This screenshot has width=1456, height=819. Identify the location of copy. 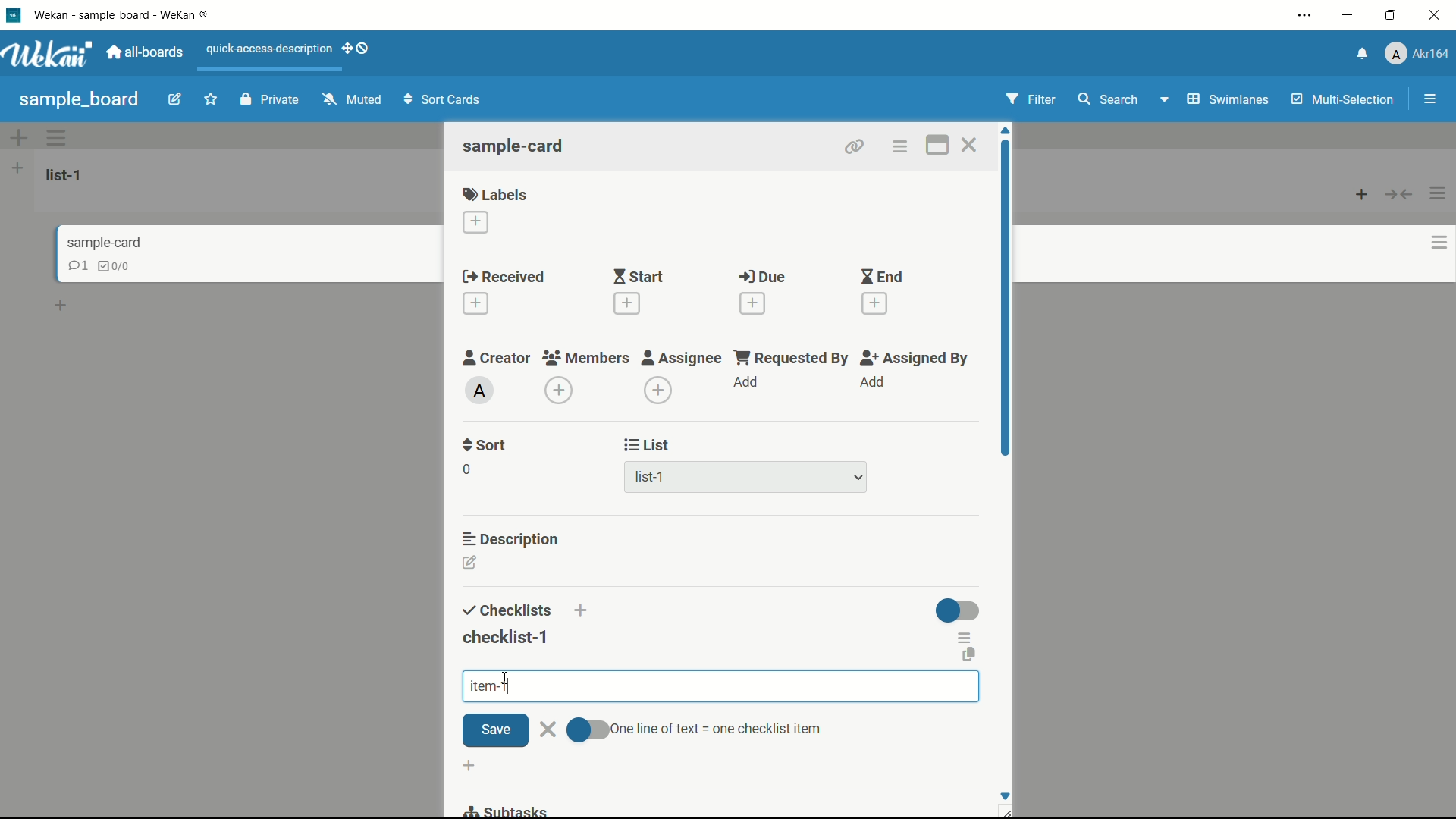
(969, 657).